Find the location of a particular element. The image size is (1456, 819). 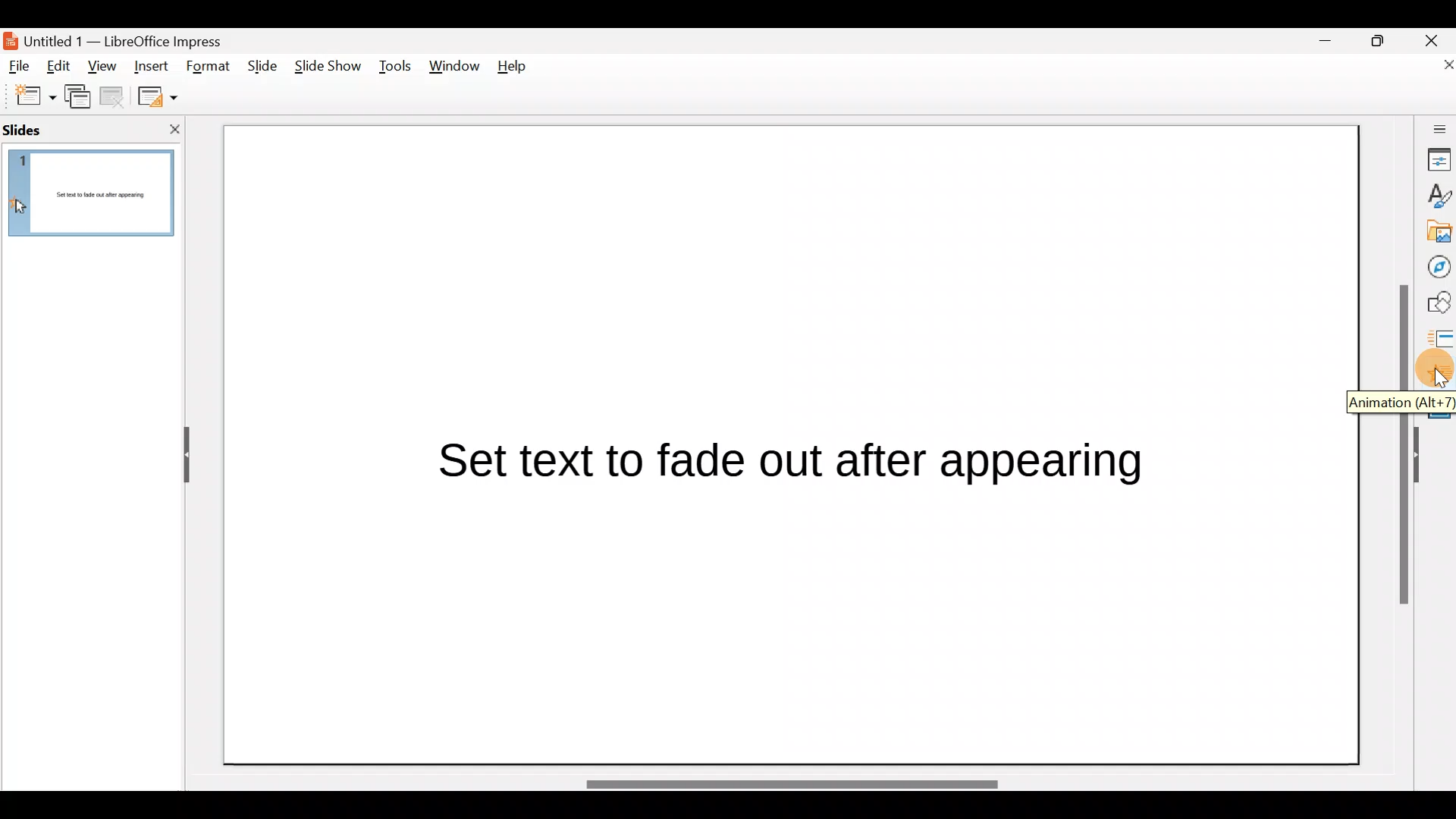

Animation is located at coordinates (1438, 375).